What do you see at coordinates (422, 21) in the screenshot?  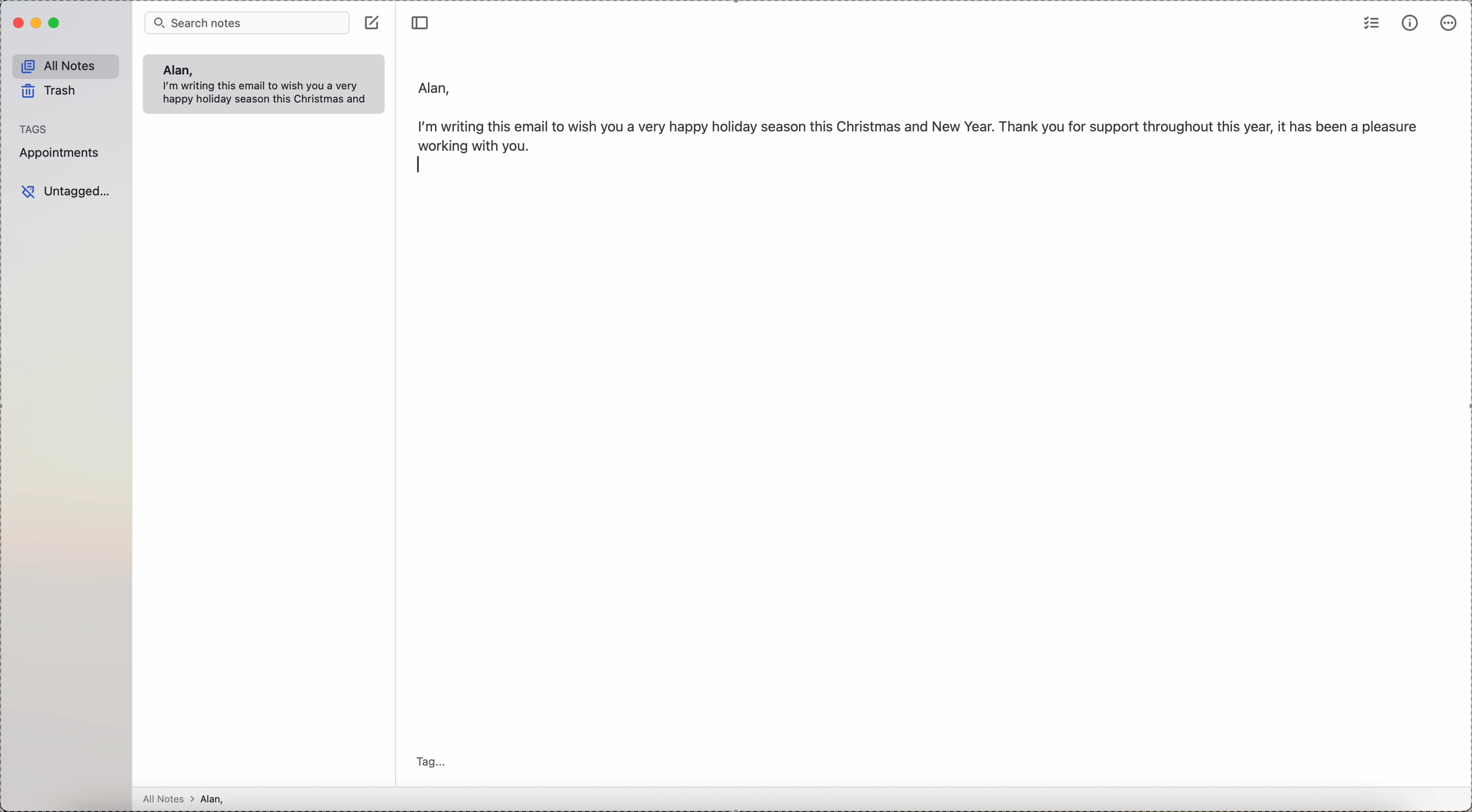 I see `toggle sidebar` at bounding box center [422, 21].